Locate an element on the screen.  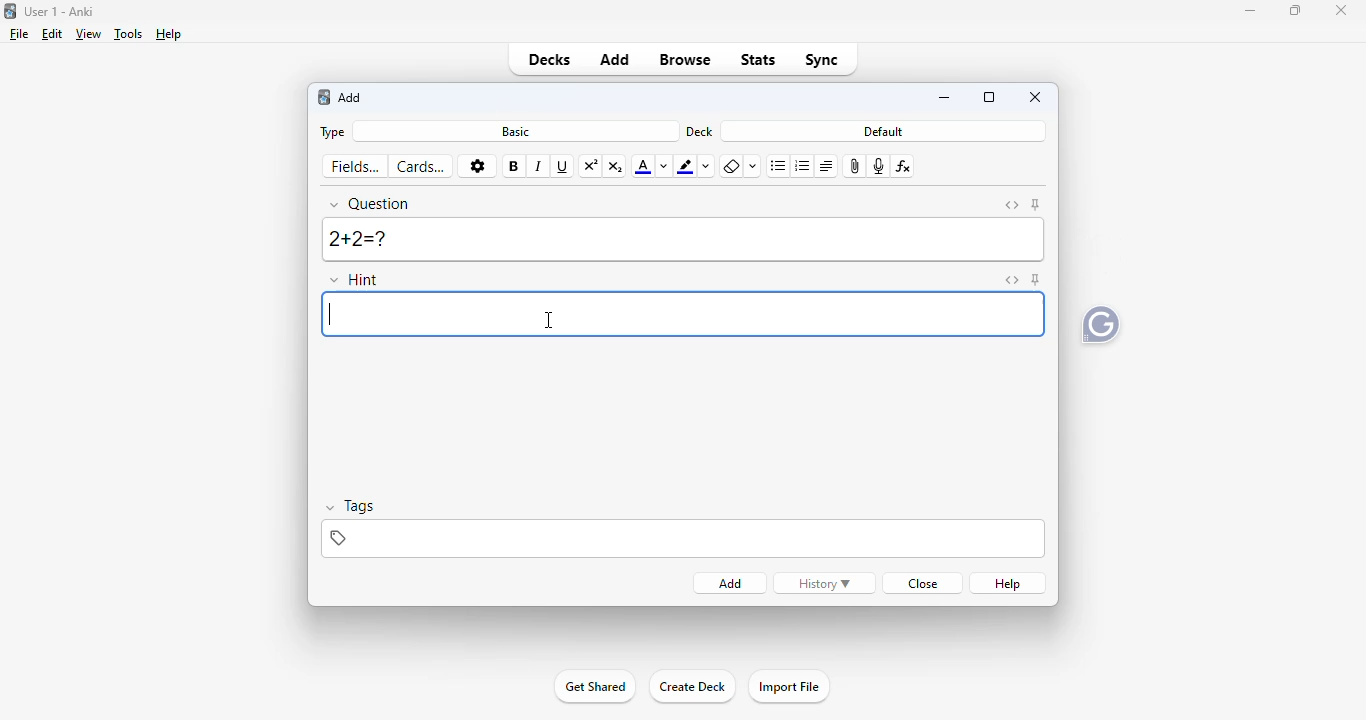
2+2=? is located at coordinates (684, 239).